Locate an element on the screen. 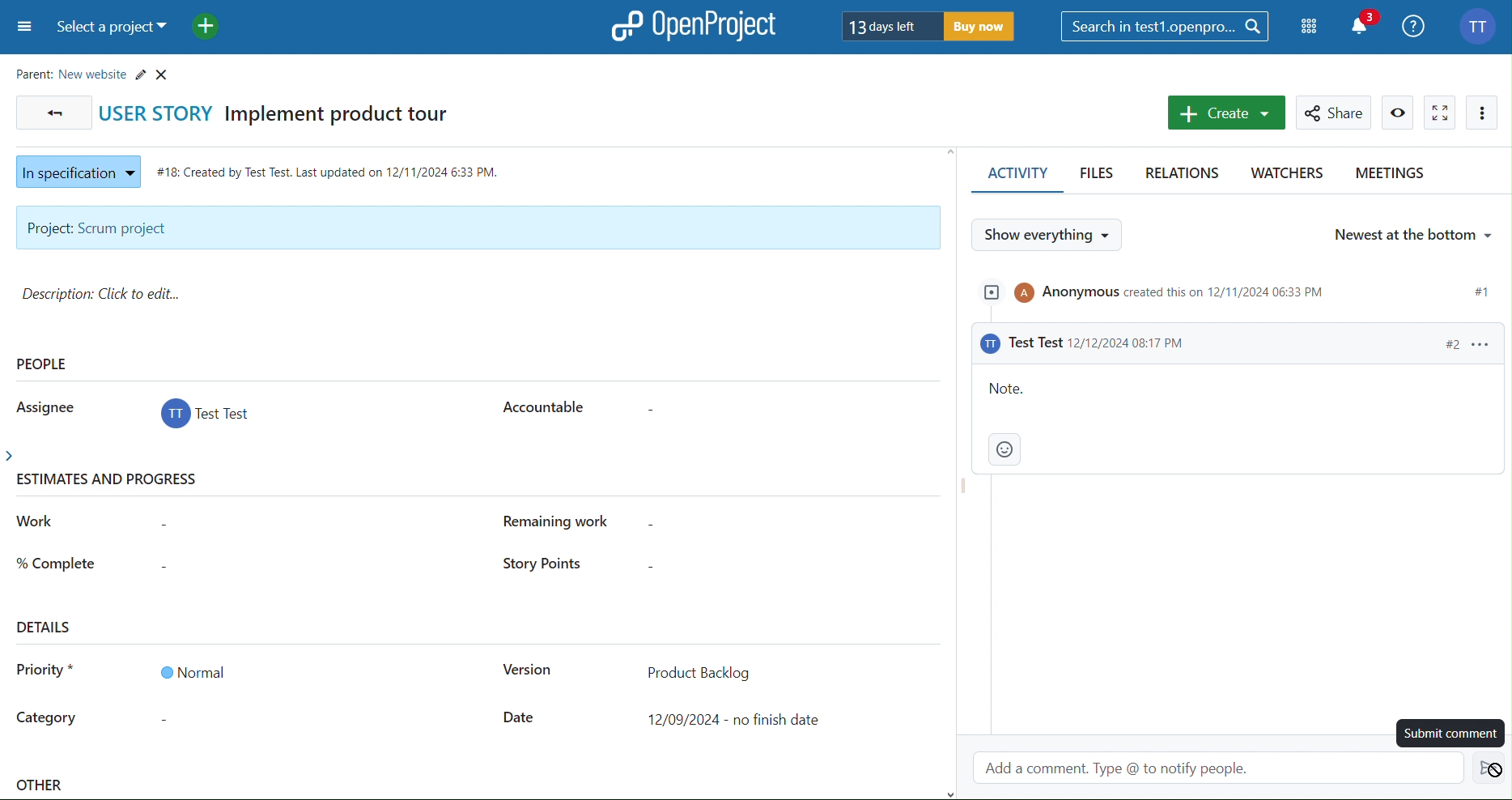 This screenshot has height=800, width=1512. Product Backlog is located at coordinates (699, 670).